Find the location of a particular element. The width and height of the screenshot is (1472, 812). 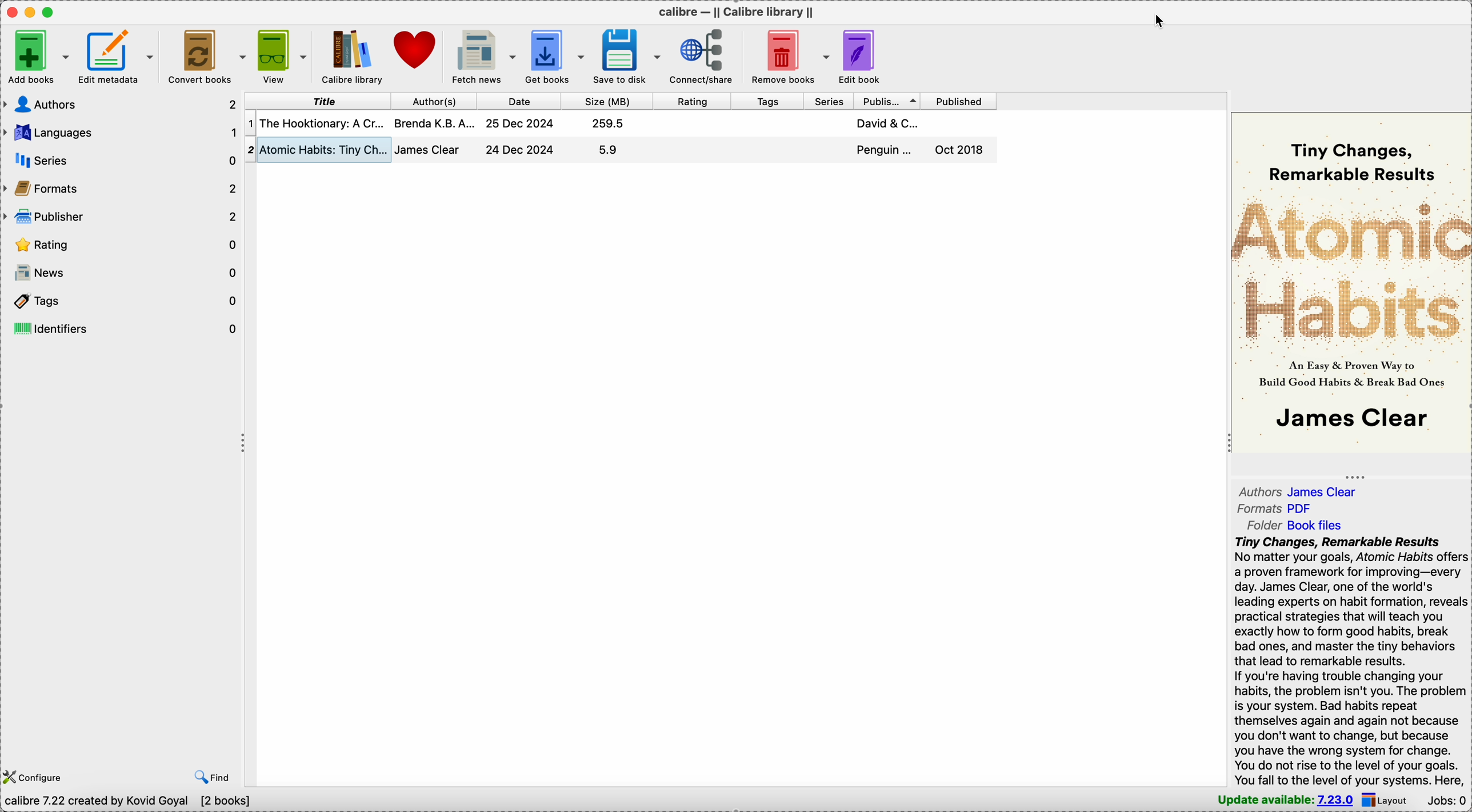

publisher is located at coordinates (894, 101).